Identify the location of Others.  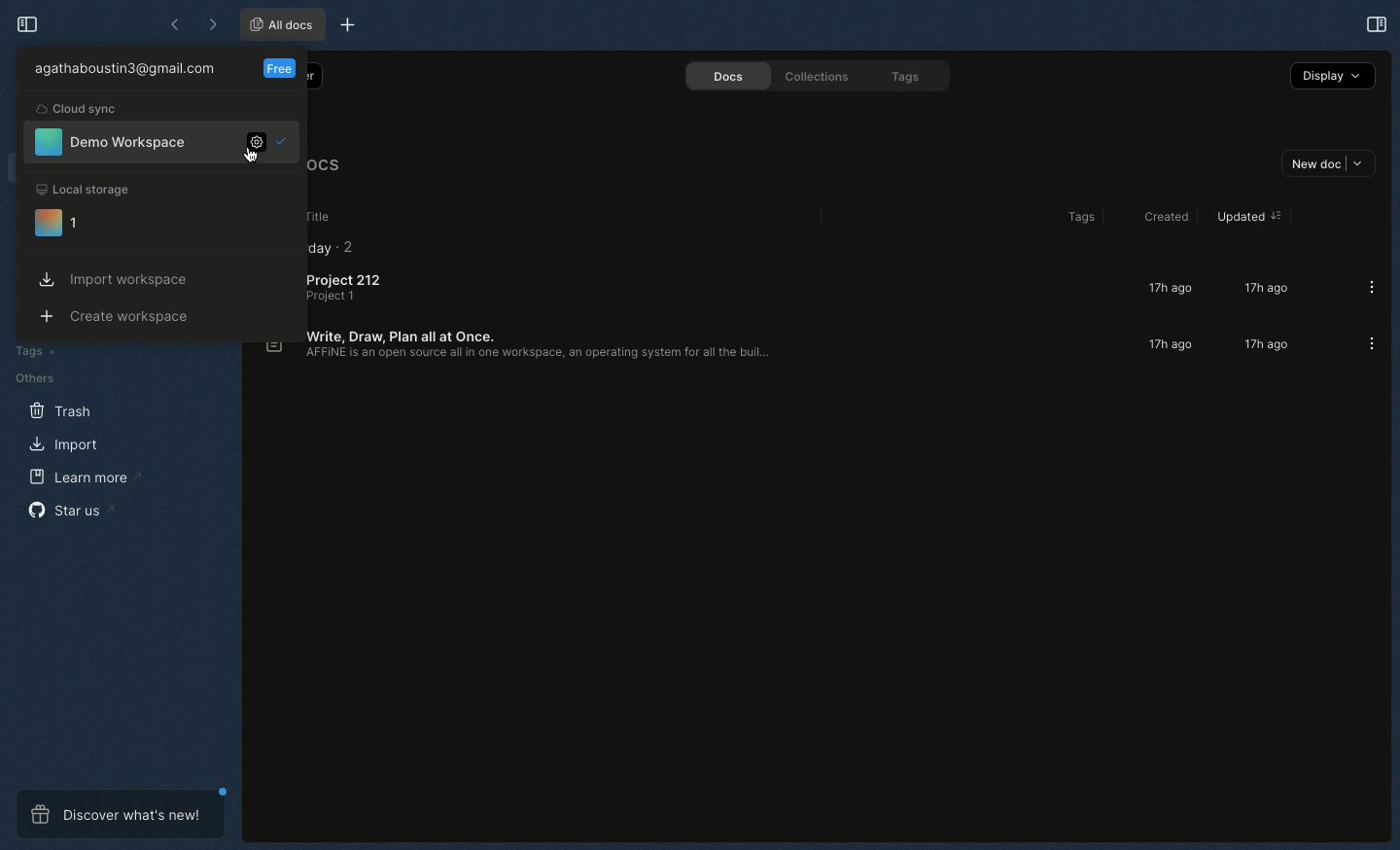
(33, 377).